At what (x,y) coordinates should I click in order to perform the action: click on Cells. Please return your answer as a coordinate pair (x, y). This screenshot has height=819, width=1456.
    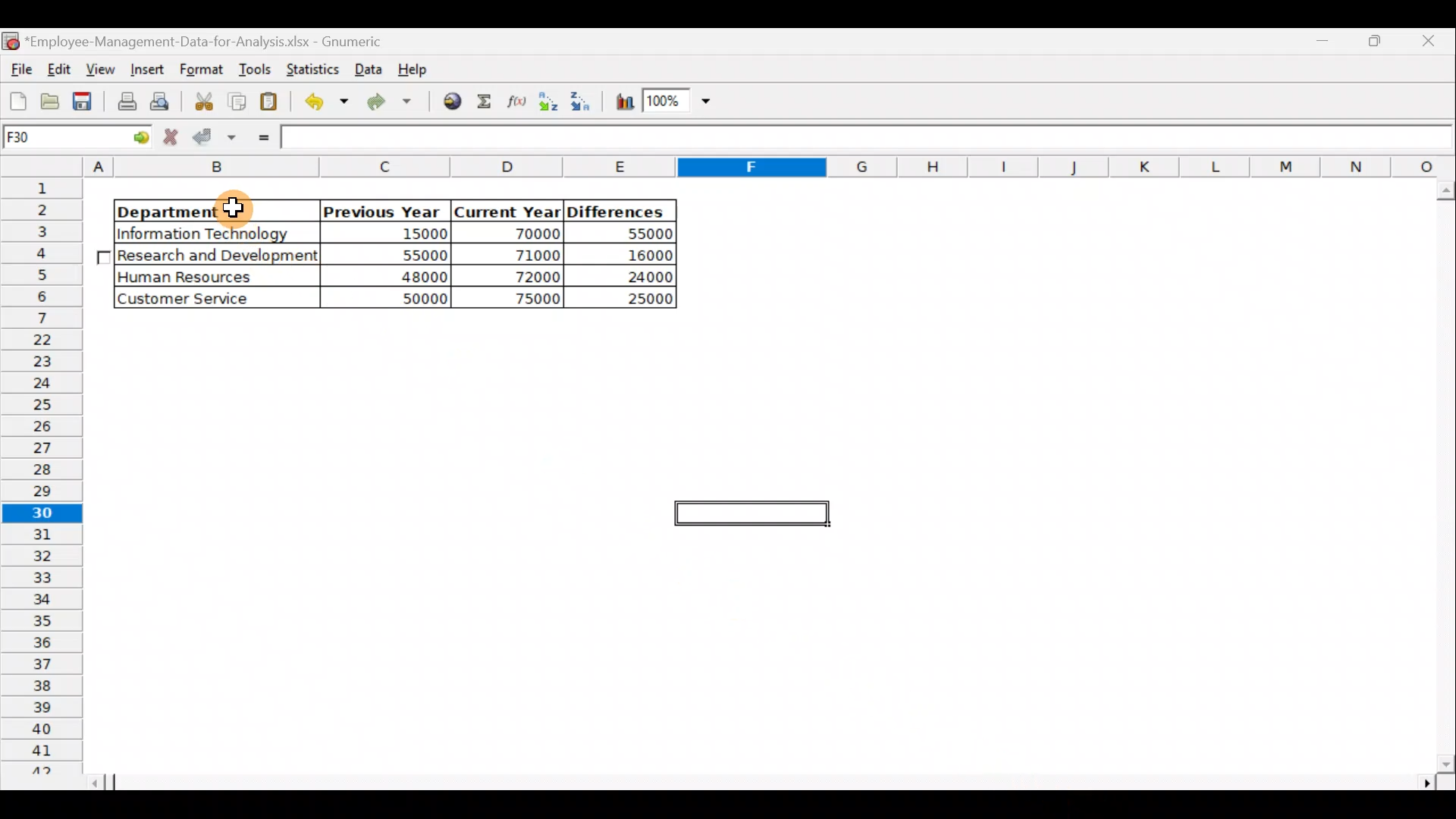
    Looking at the image, I should click on (757, 547).